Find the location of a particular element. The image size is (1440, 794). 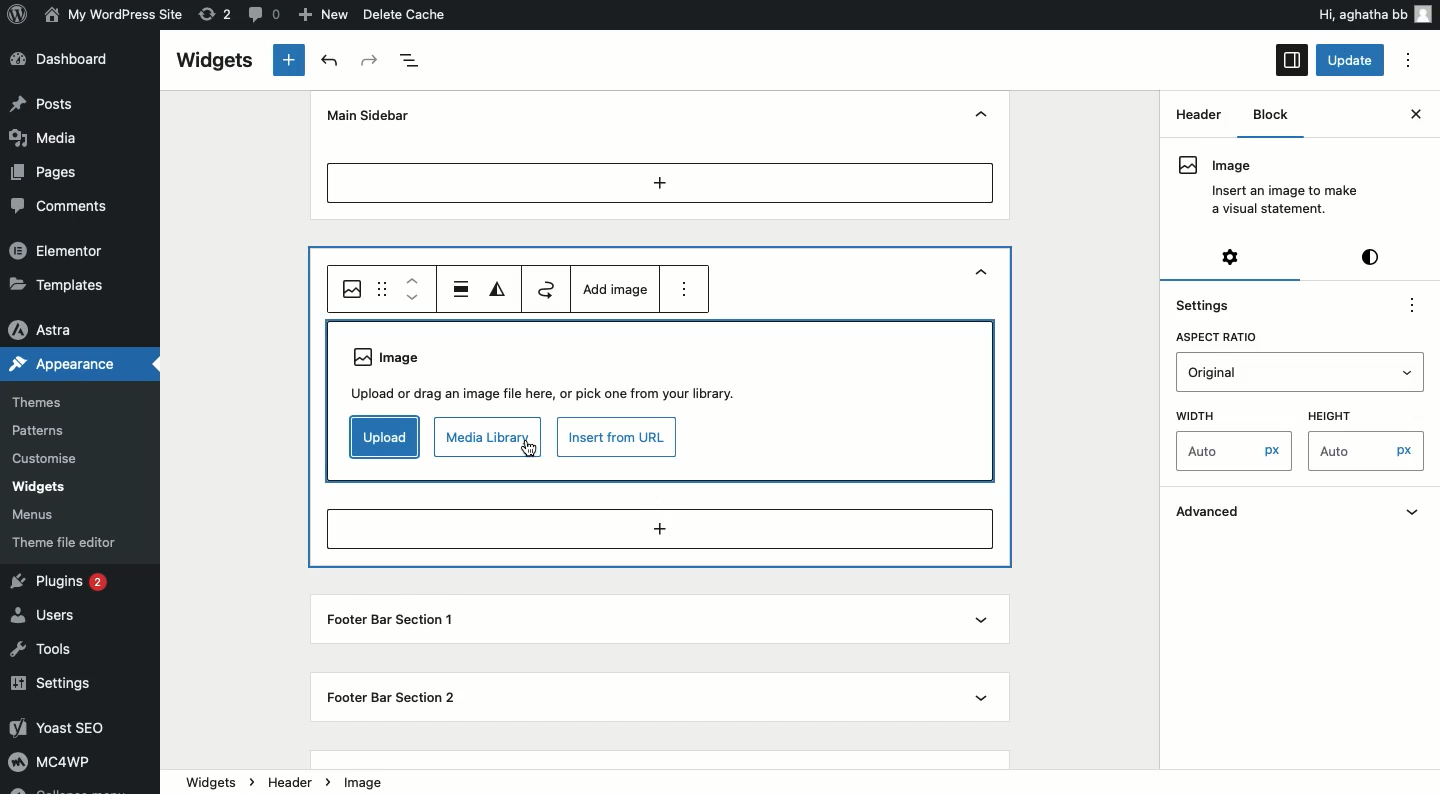

Yoast SEO is located at coordinates (67, 727).